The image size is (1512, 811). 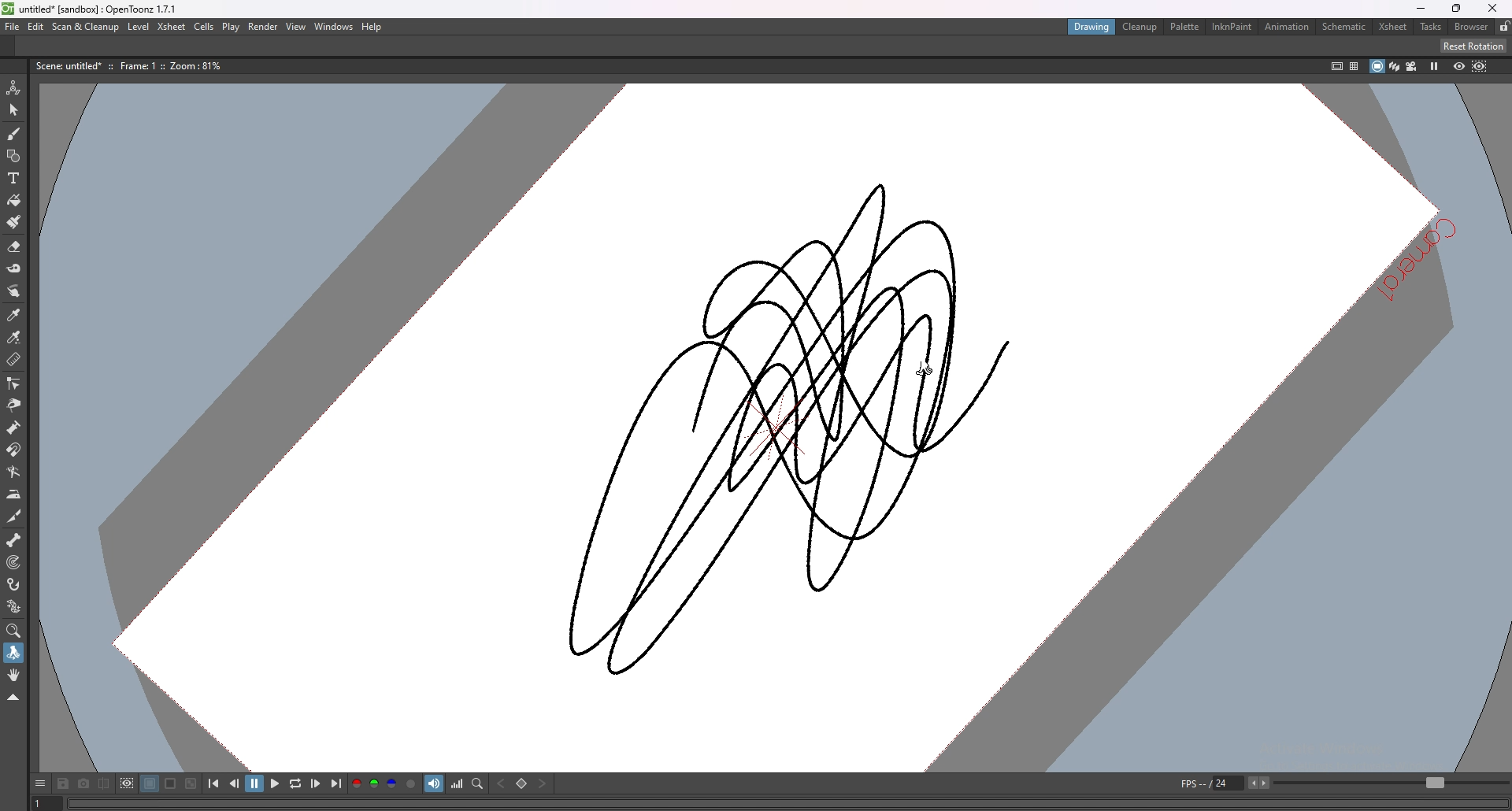 What do you see at coordinates (256, 785) in the screenshot?
I see `pause` at bounding box center [256, 785].